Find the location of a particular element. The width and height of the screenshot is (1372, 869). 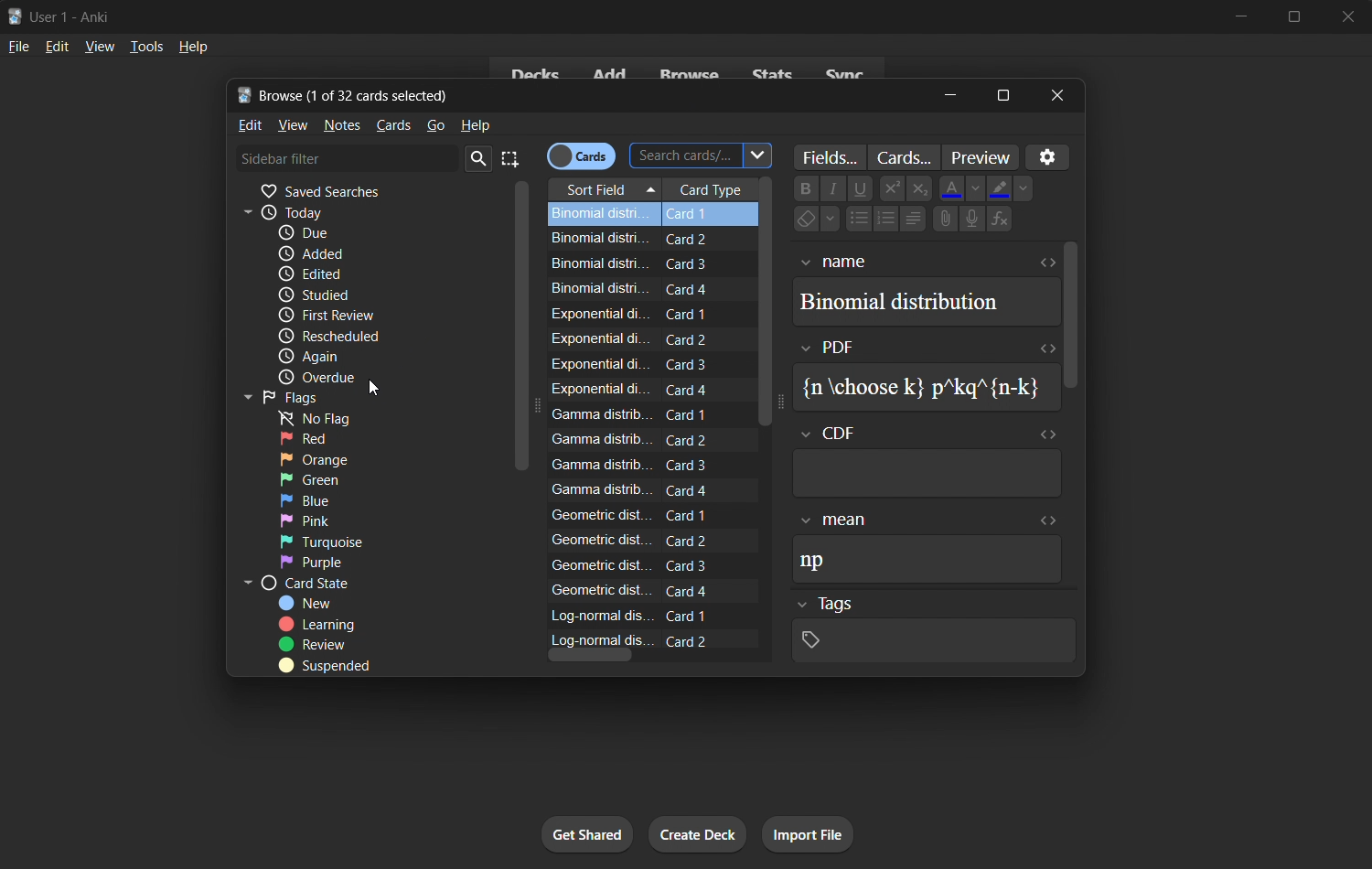

overdue is located at coordinates (362, 376).